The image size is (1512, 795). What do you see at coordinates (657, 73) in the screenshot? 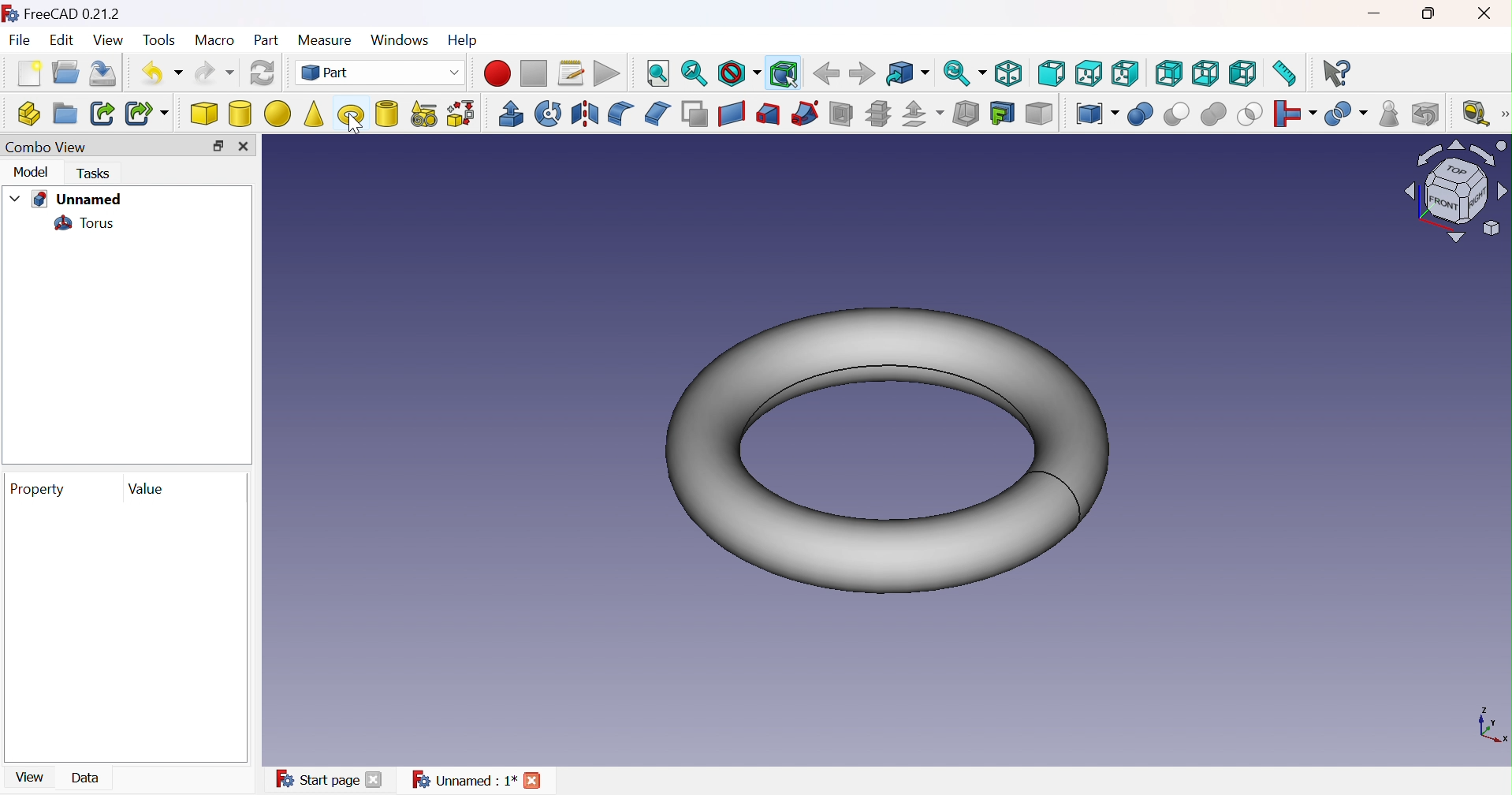
I see `Fit all` at bounding box center [657, 73].